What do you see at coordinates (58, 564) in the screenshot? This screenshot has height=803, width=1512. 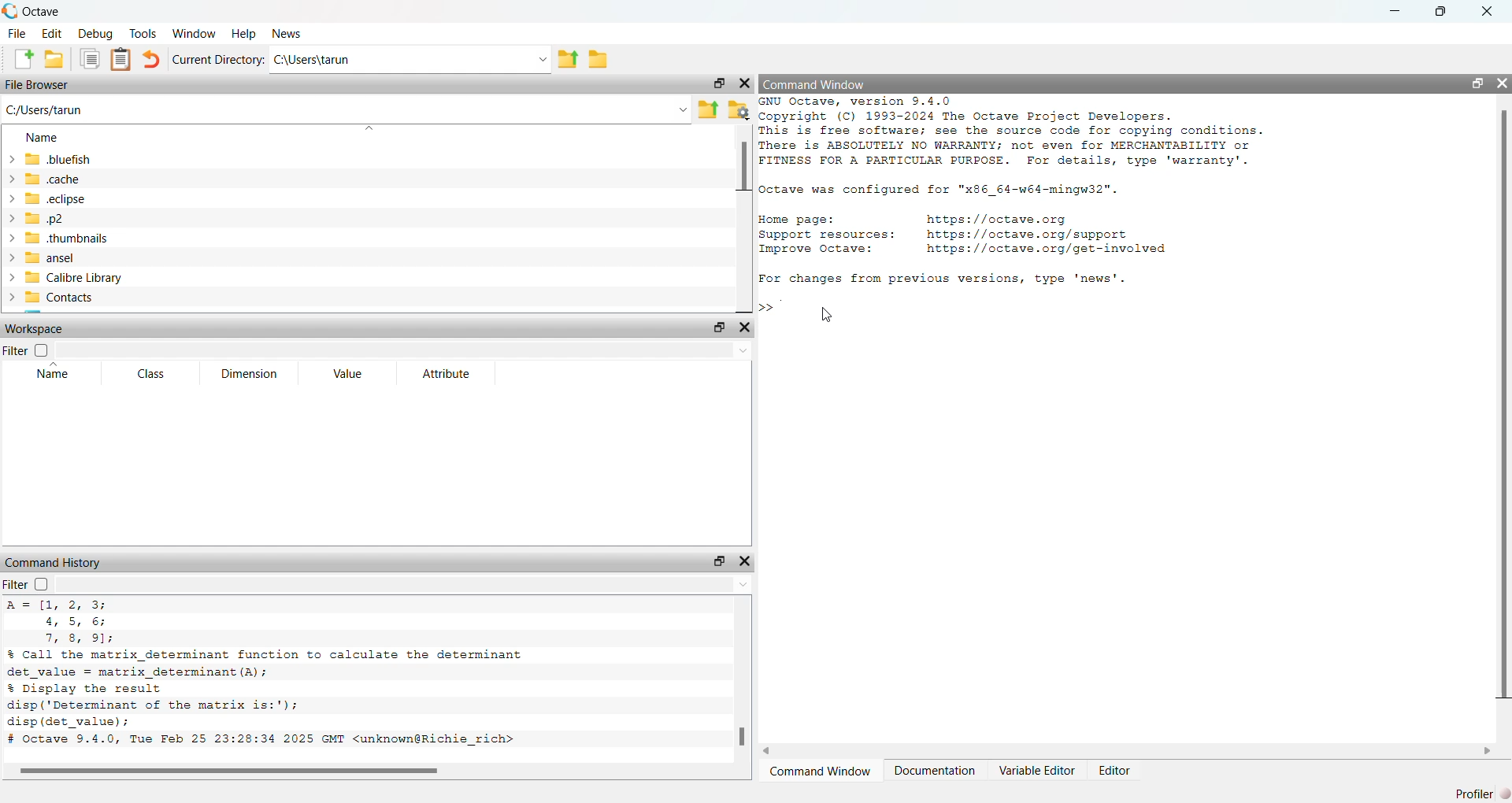 I see `command history` at bounding box center [58, 564].